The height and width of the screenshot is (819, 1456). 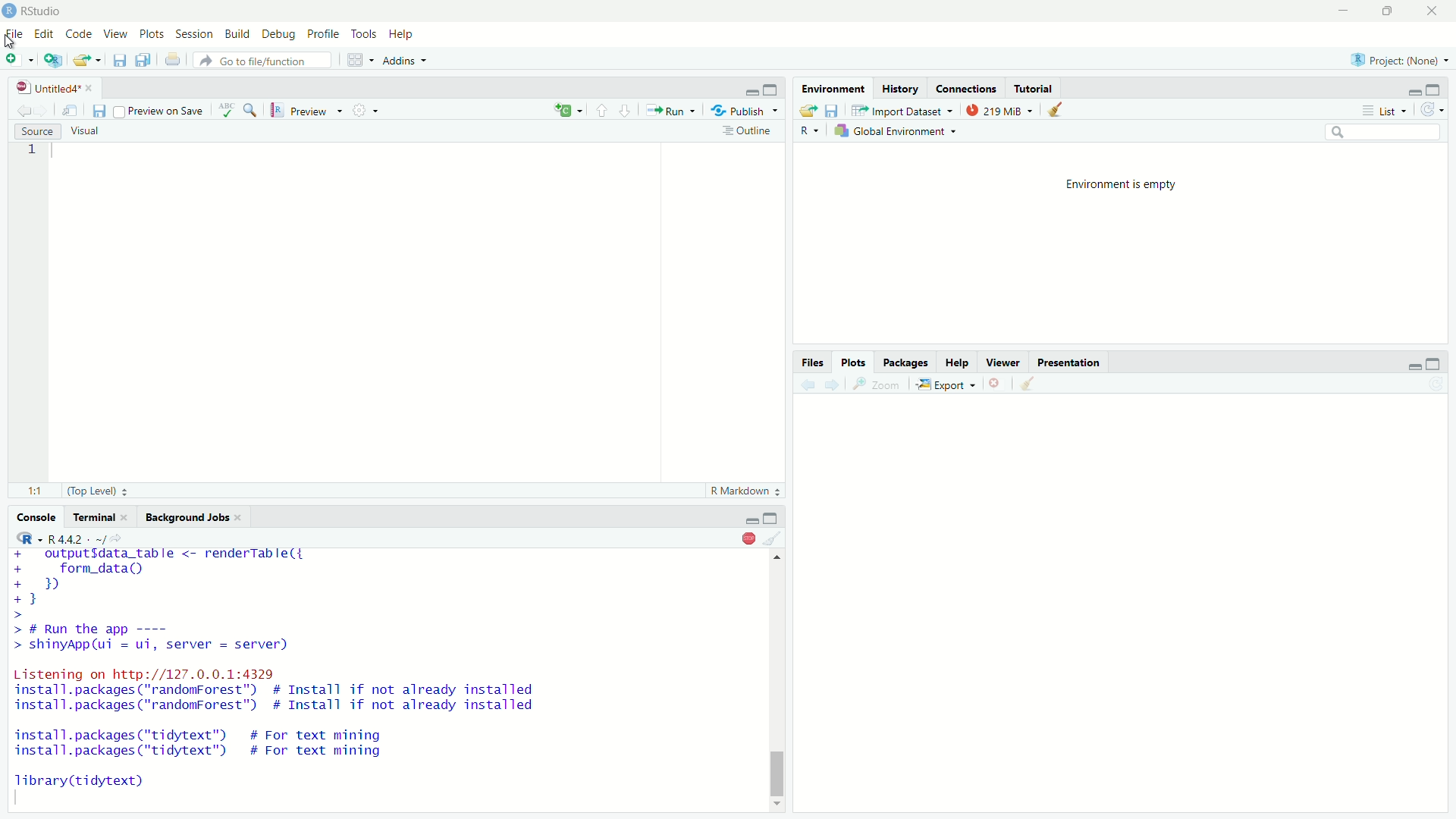 What do you see at coordinates (1400, 59) in the screenshot?
I see `select project` at bounding box center [1400, 59].